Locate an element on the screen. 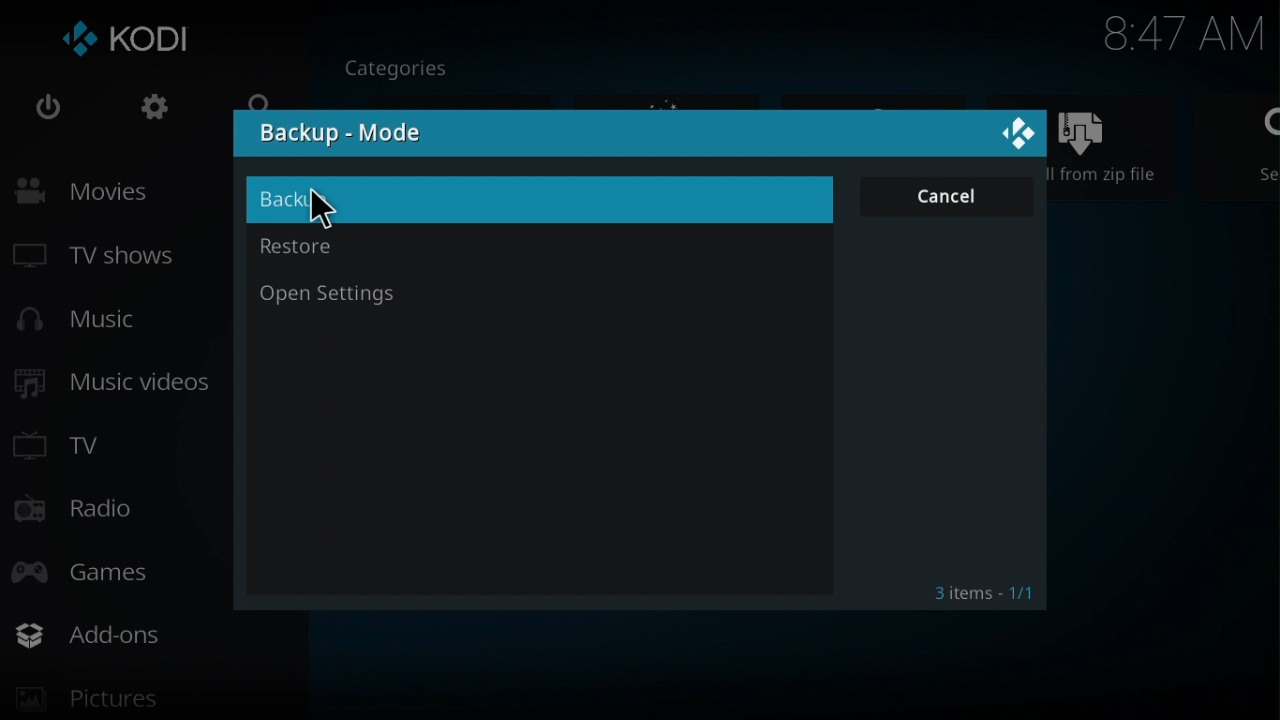 This screenshot has width=1280, height=720. Settings is located at coordinates (146, 112).